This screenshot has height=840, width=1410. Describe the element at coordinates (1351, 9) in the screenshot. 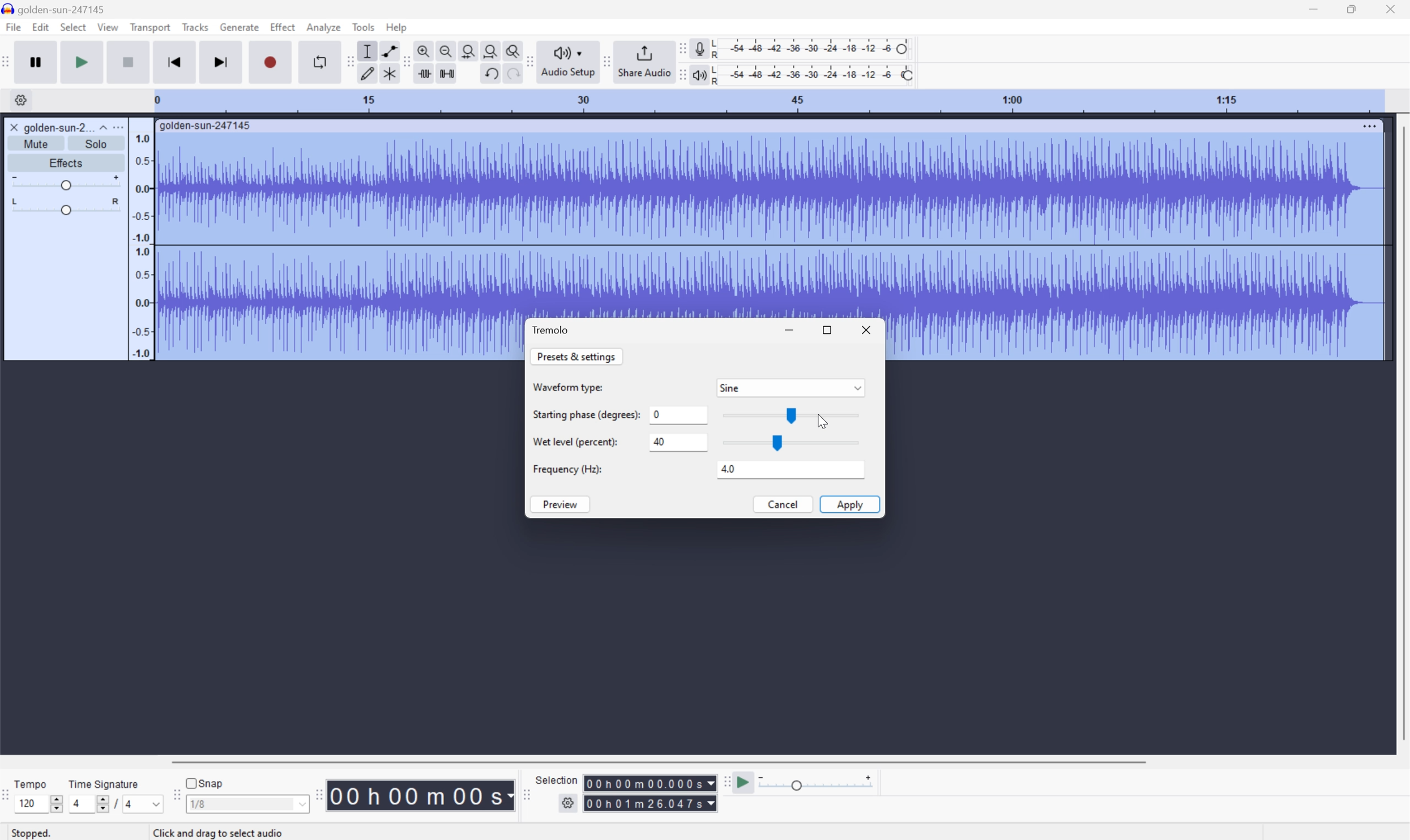

I see `Restore Down` at that location.